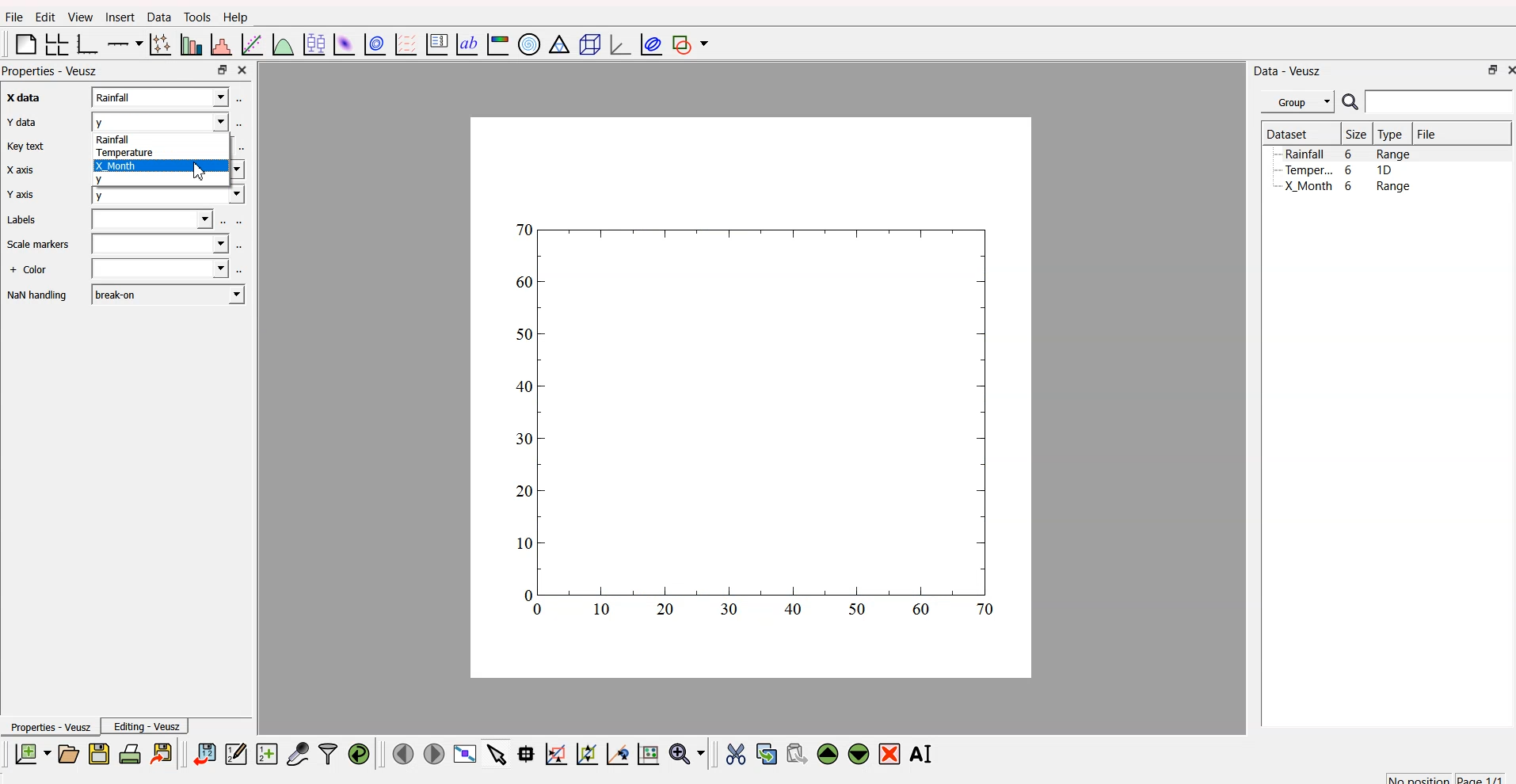  I want to click on Group, so click(1297, 102).